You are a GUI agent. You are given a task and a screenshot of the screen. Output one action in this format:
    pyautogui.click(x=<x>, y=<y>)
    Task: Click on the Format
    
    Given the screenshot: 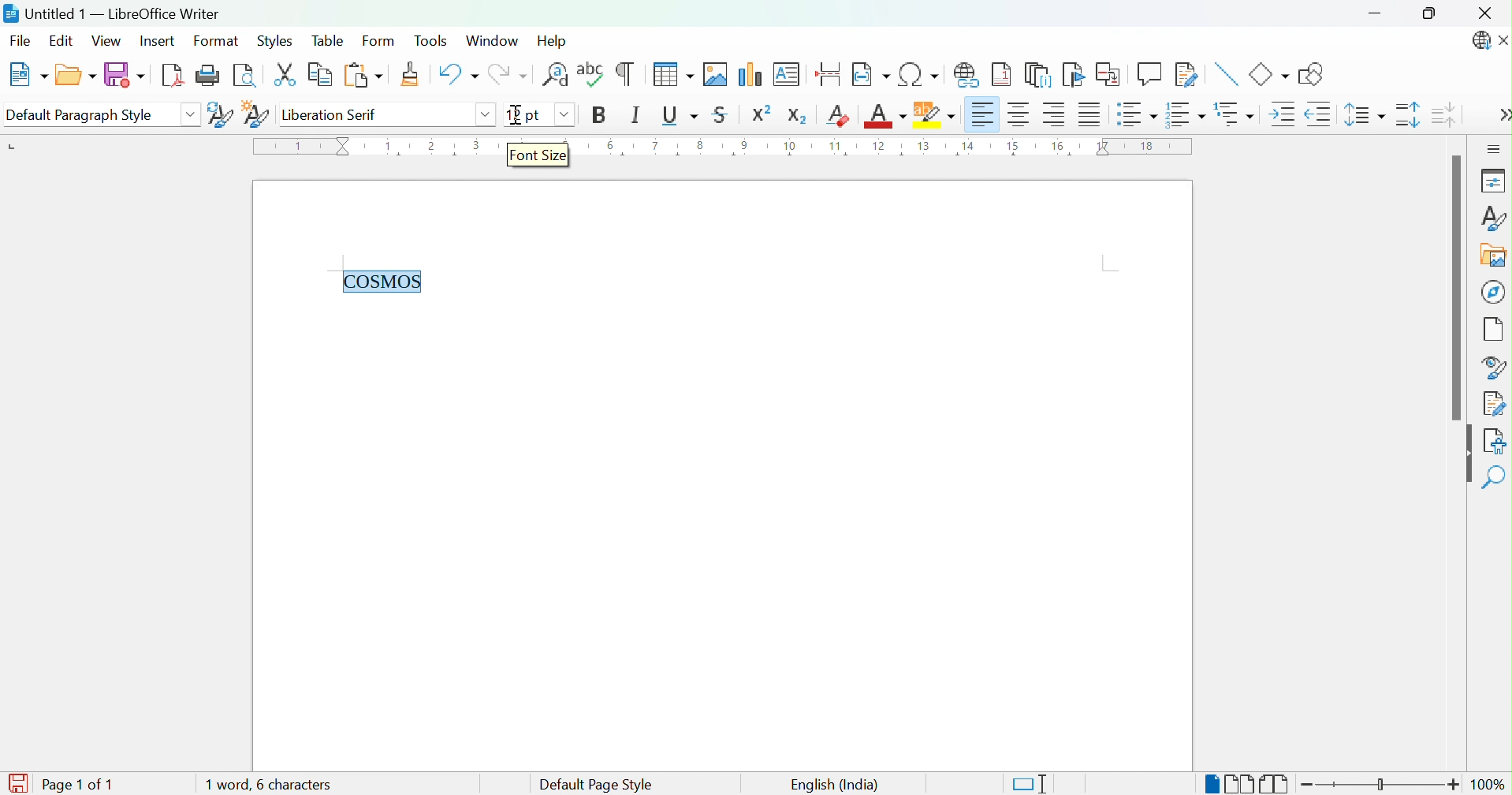 What is the action you would take?
    pyautogui.click(x=214, y=42)
    